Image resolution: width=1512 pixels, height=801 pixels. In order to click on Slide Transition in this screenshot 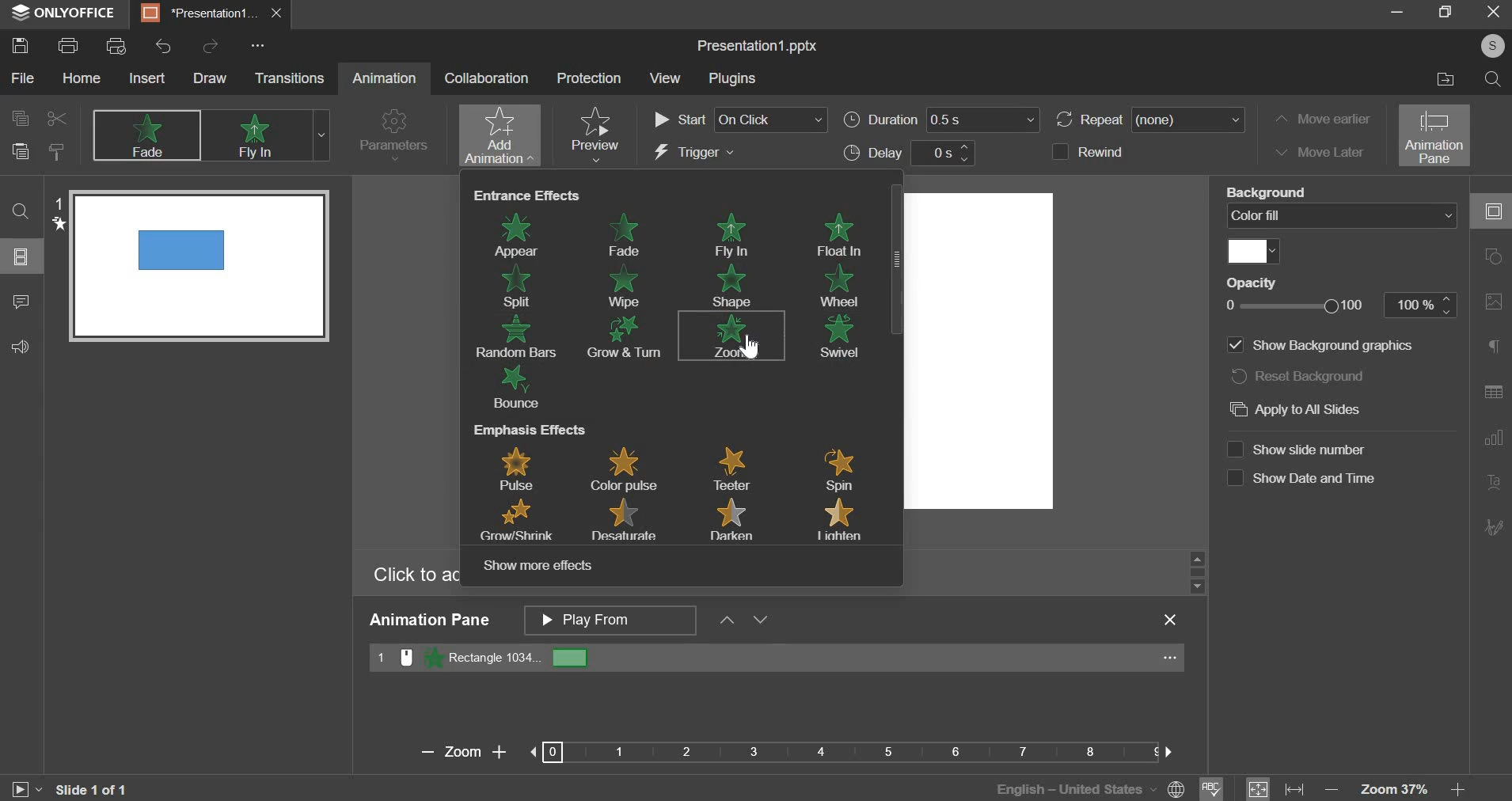, I will do `click(1493, 435)`.